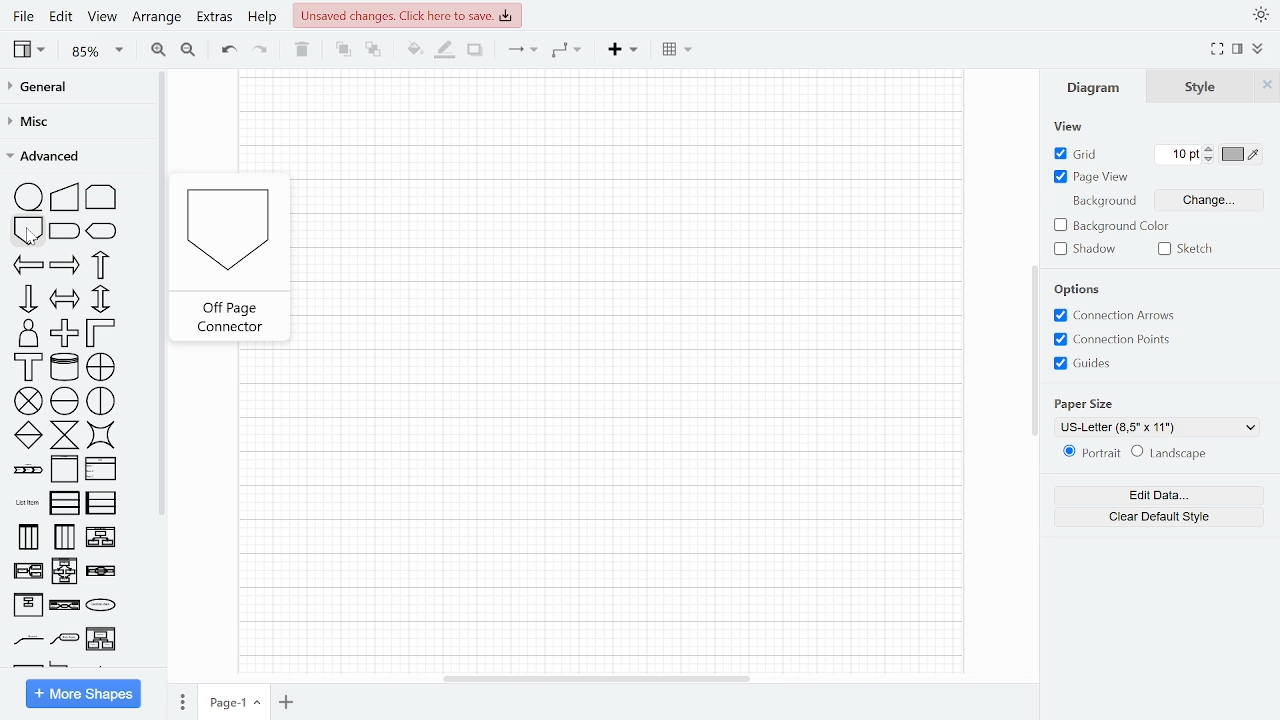 This screenshot has height=720, width=1280. What do you see at coordinates (101, 299) in the screenshot?
I see `double arrow vertical` at bounding box center [101, 299].